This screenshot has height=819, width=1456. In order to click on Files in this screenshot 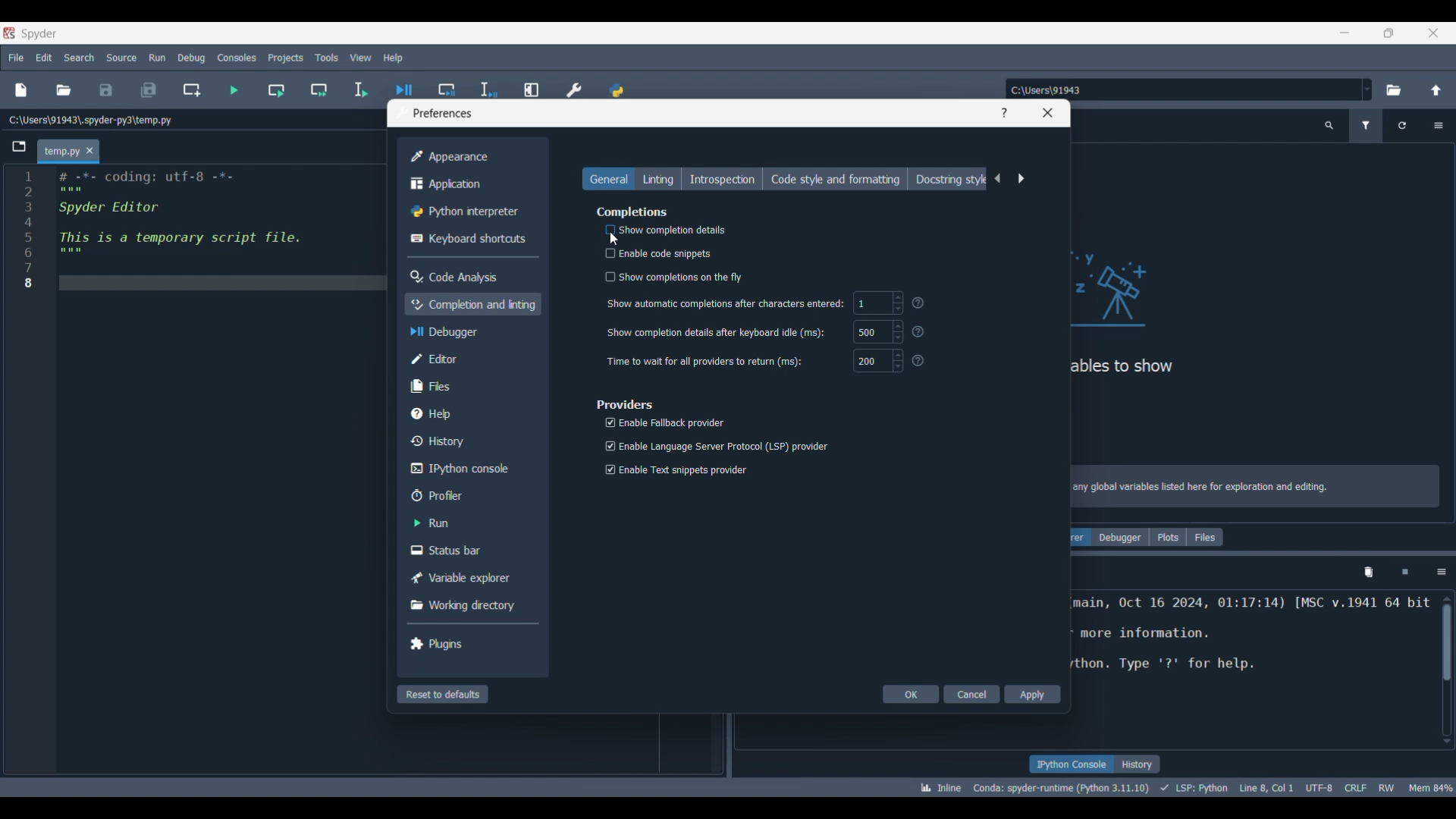, I will do `click(1205, 537)`.